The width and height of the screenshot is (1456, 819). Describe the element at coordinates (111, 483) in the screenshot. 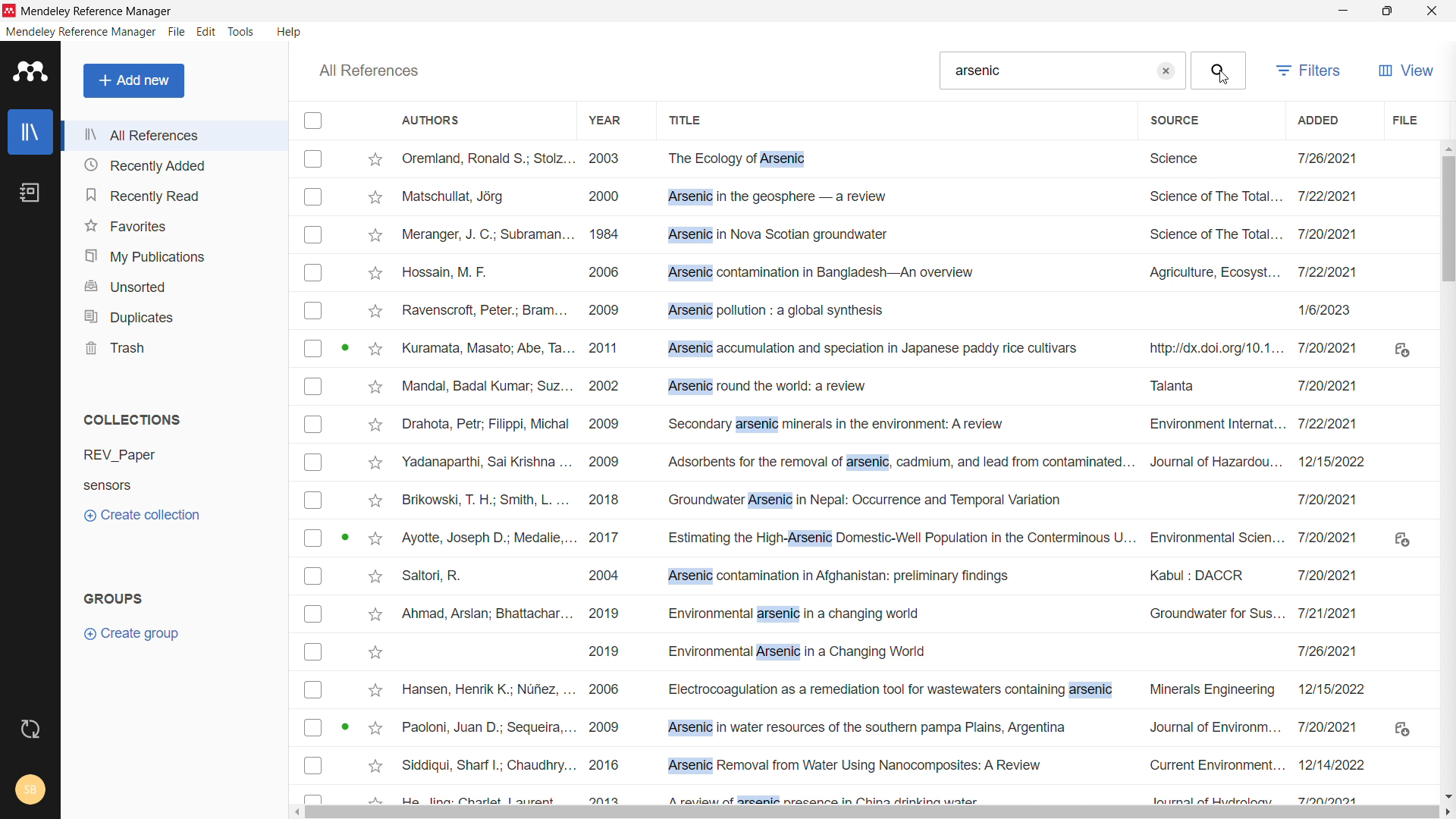

I see `Sensors` at that location.